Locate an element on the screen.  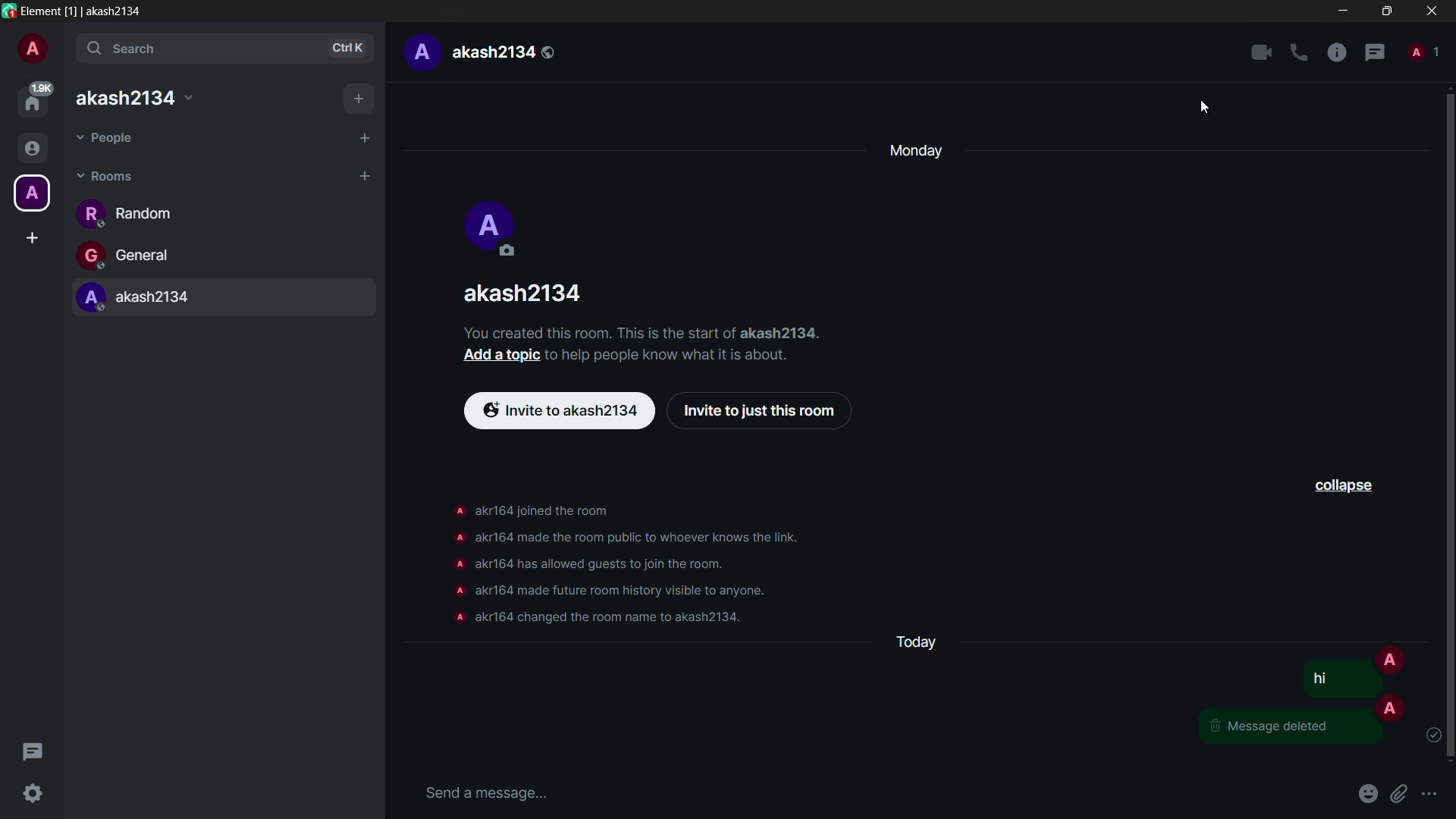
akr164 changed the room name to akash2134. is located at coordinates (611, 617).